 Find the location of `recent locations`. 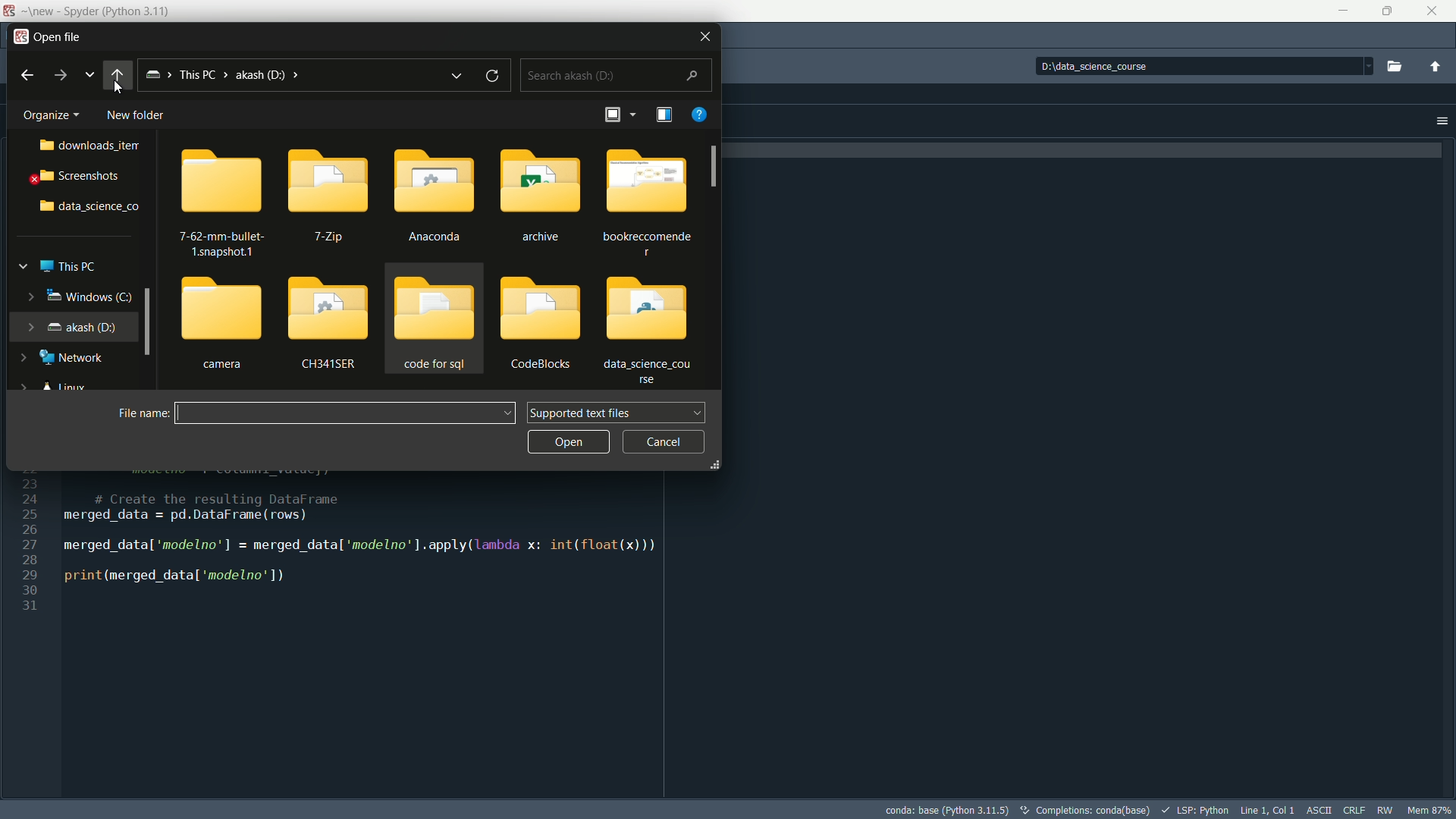

recent locations is located at coordinates (90, 75).